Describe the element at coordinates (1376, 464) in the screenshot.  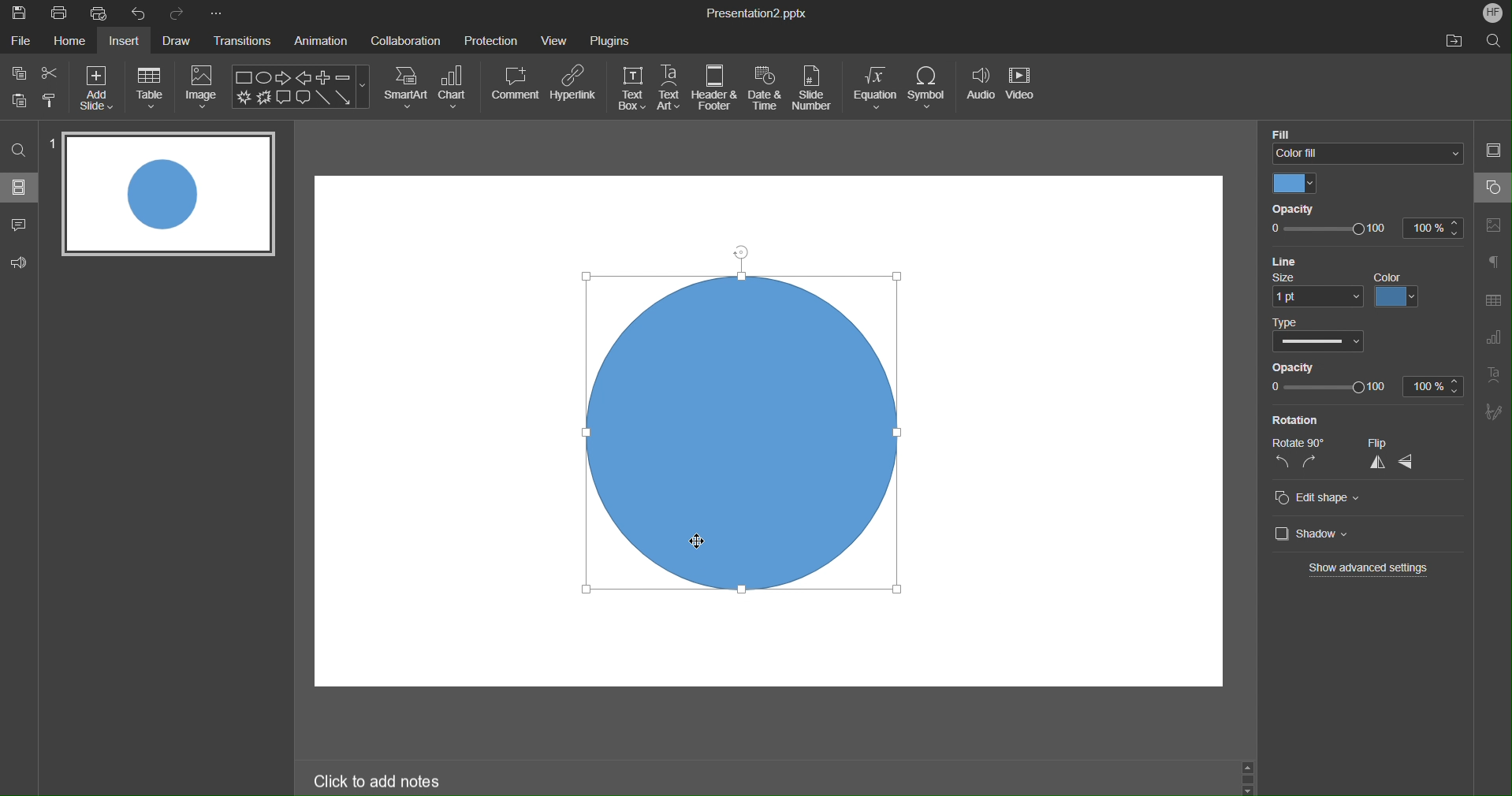
I see `vertical` at that location.